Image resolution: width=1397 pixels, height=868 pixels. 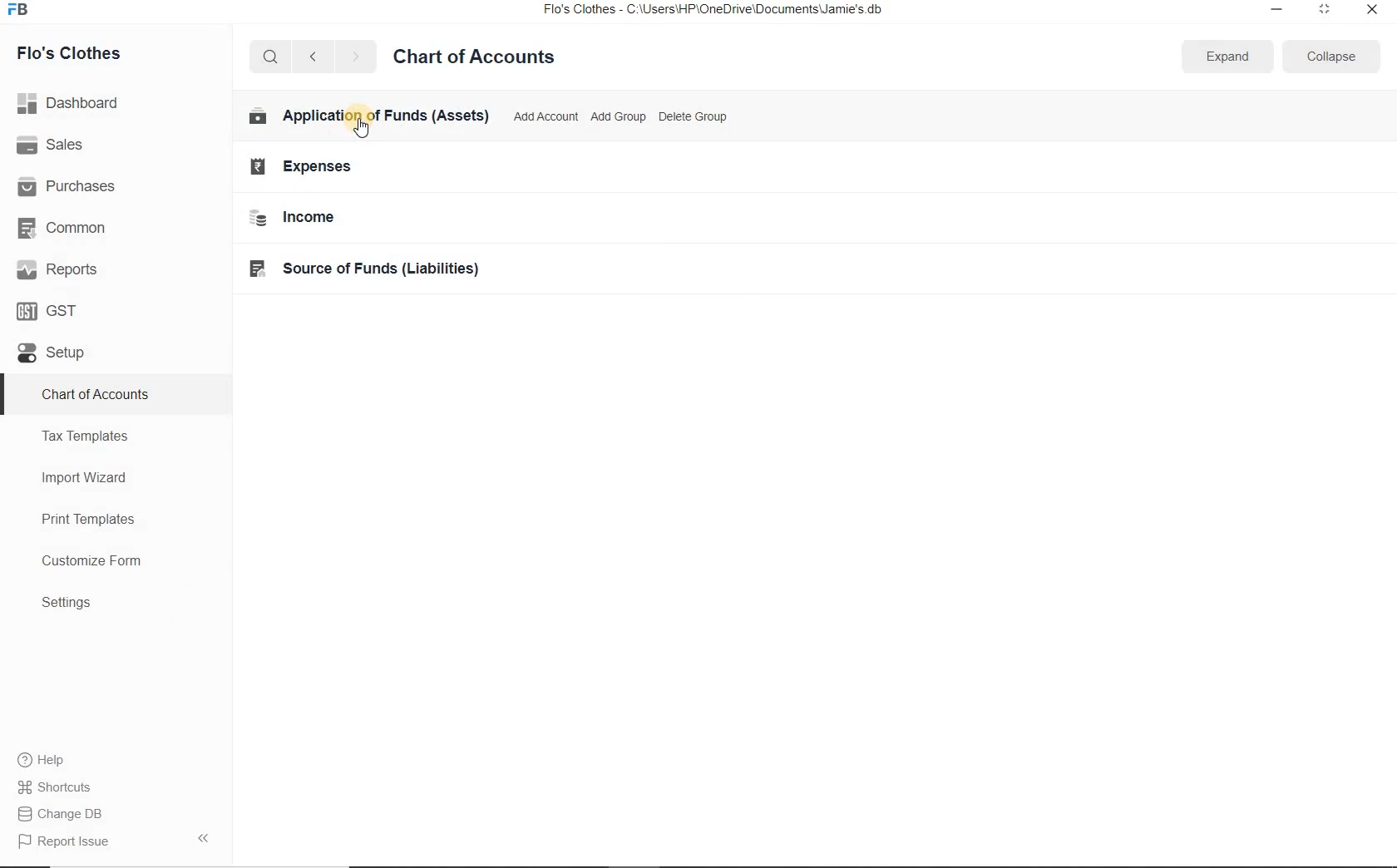 What do you see at coordinates (74, 185) in the screenshot?
I see `Purchases` at bounding box center [74, 185].